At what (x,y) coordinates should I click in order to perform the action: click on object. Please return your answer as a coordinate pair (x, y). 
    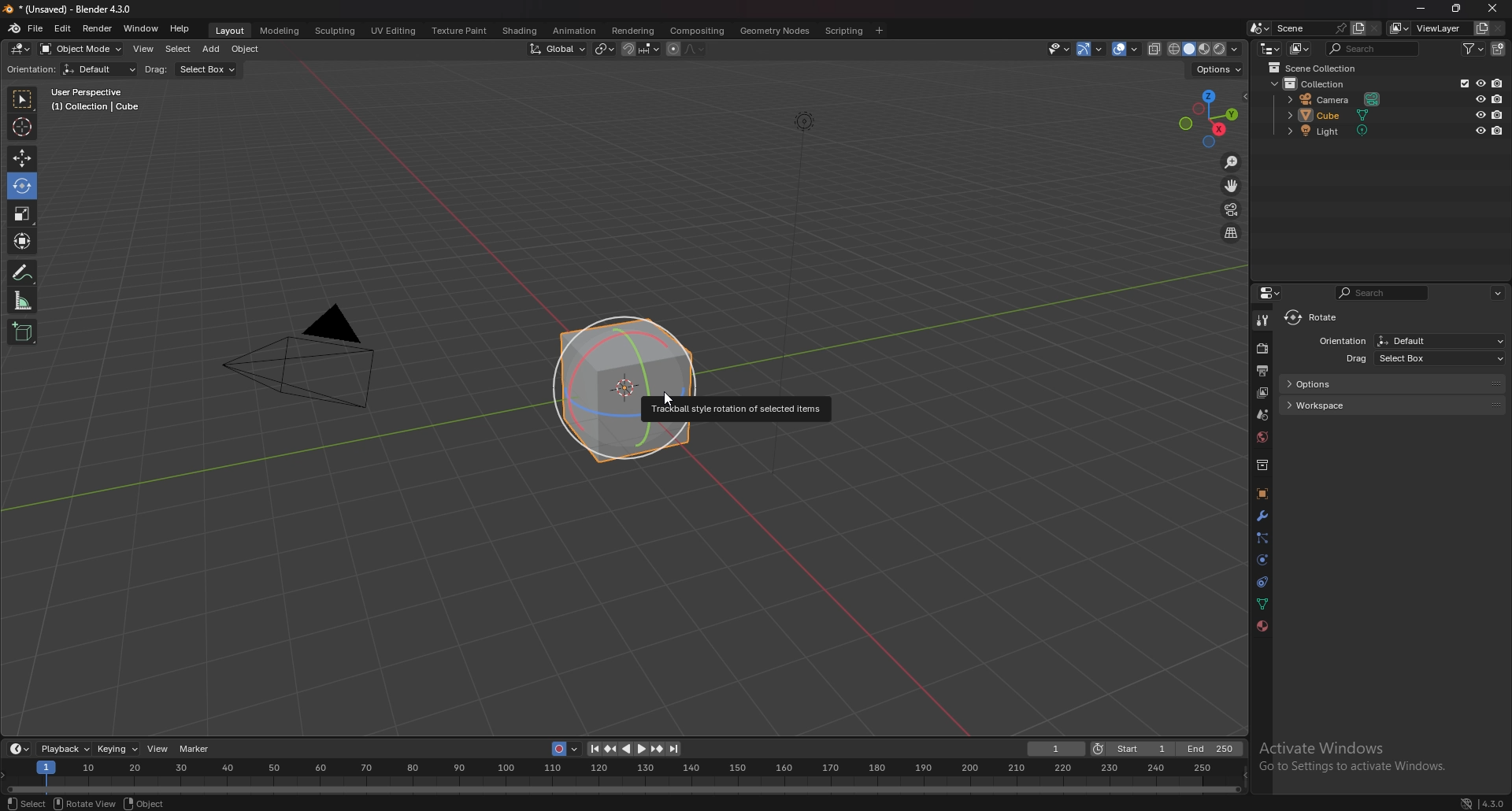
    Looking at the image, I should click on (1262, 494).